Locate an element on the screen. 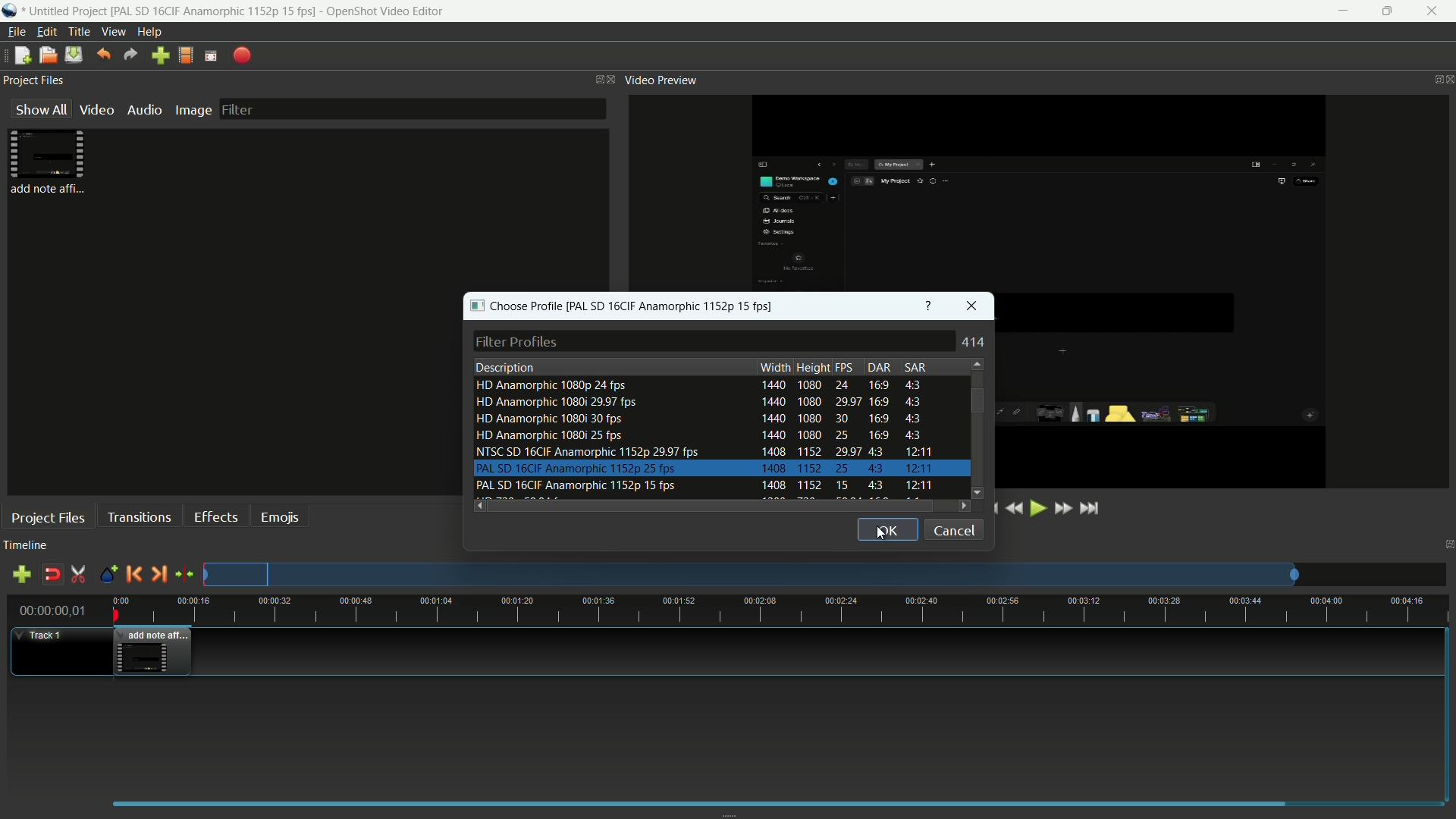  edit menu is located at coordinates (43, 31).